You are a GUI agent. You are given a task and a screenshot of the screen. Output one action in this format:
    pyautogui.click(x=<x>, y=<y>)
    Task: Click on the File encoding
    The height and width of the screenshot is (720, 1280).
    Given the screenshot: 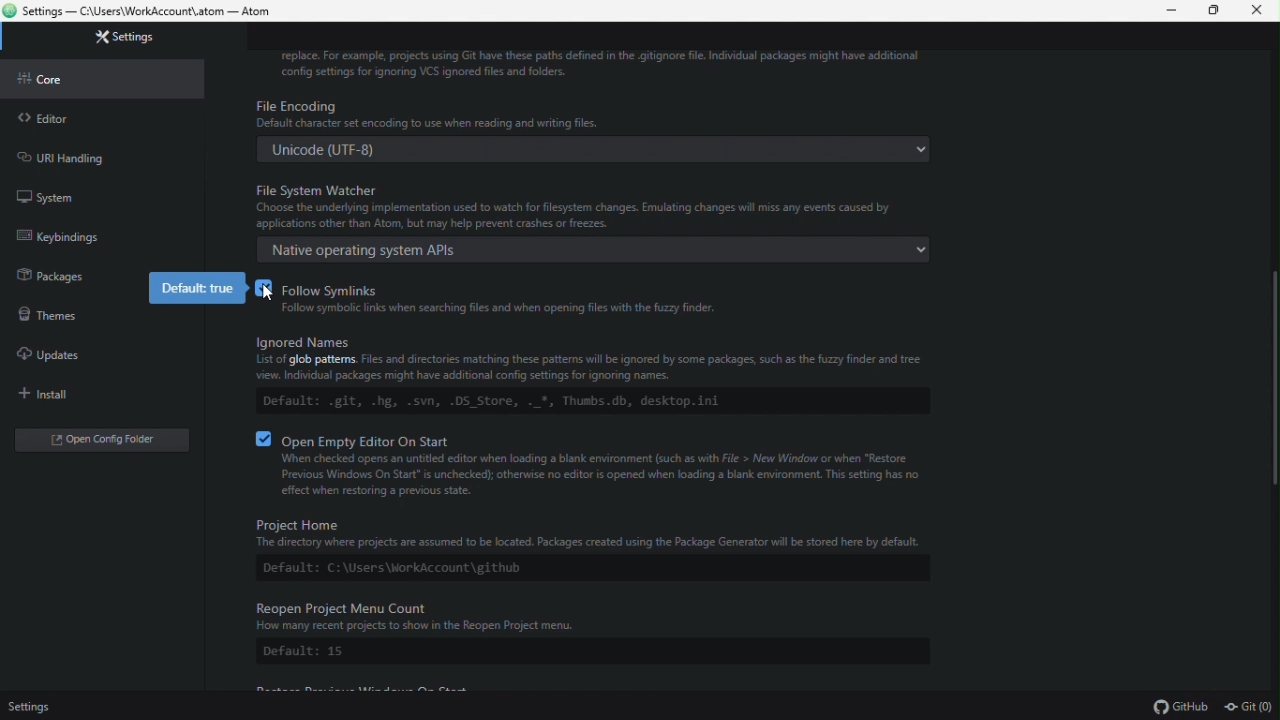 What is the action you would take?
    pyautogui.click(x=598, y=114)
    